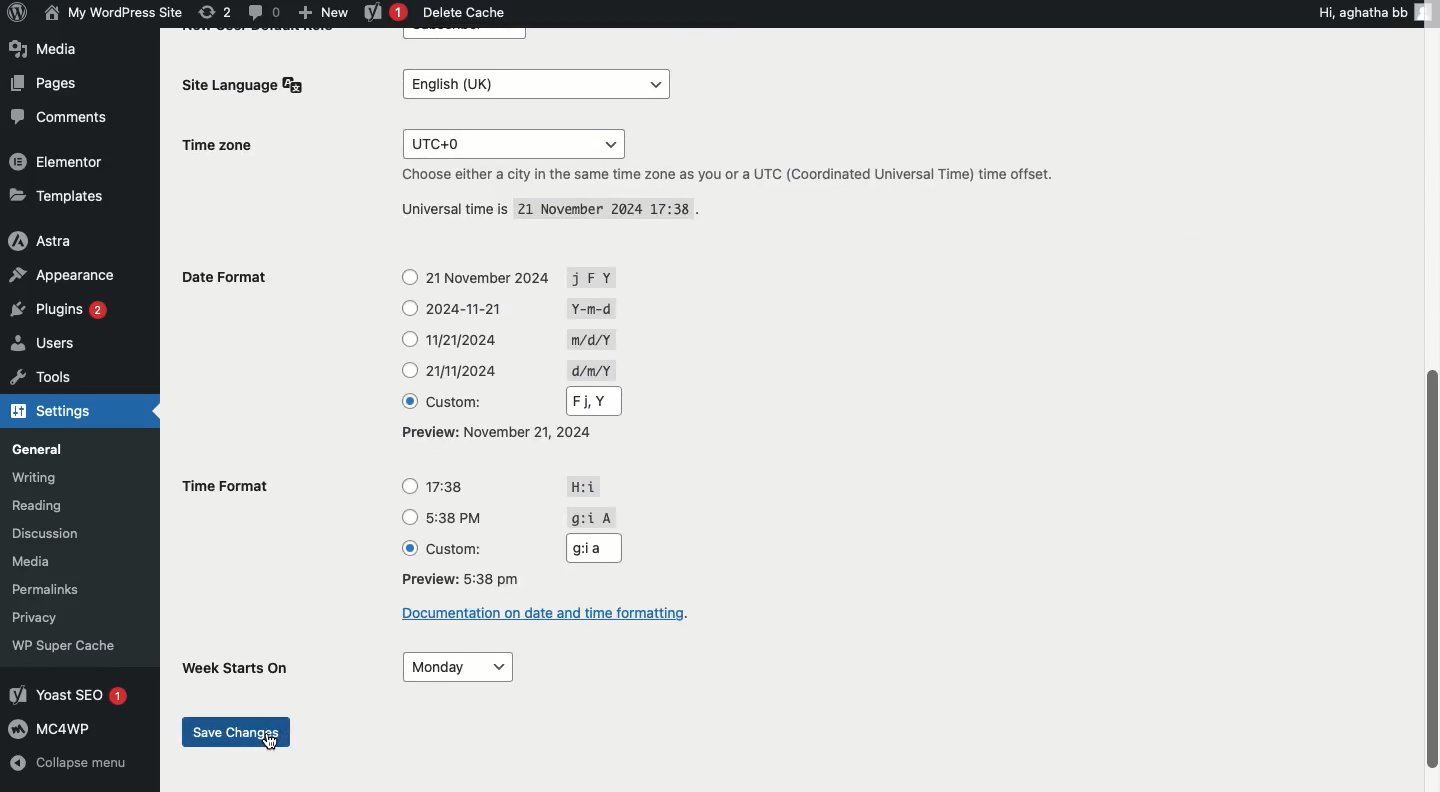 The width and height of the screenshot is (1440, 792). Describe the element at coordinates (513, 337) in the screenshot. I see `11/21/2024 m/d/Y` at that location.